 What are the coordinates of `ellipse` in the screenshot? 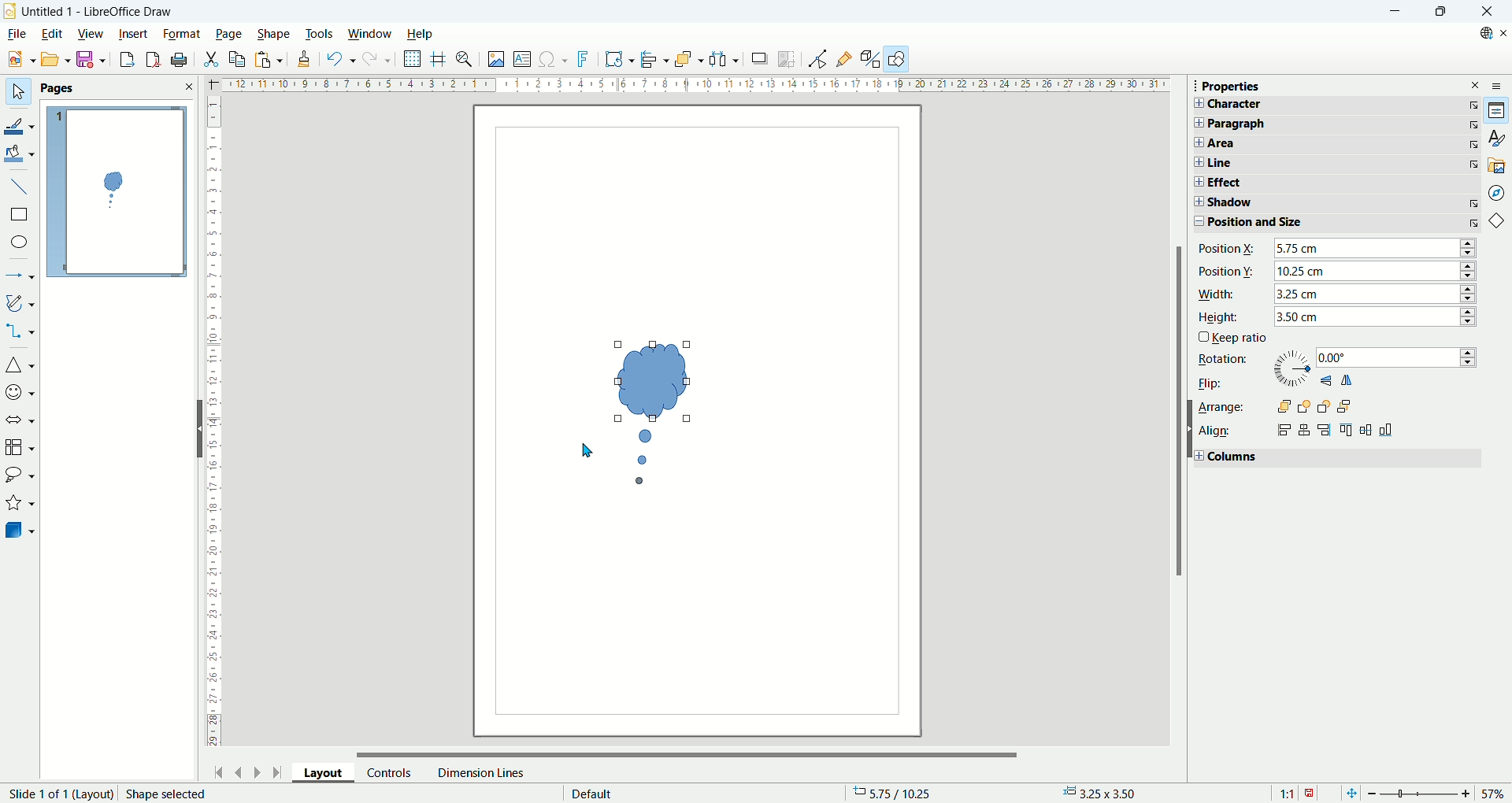 It's located at (20, 243).